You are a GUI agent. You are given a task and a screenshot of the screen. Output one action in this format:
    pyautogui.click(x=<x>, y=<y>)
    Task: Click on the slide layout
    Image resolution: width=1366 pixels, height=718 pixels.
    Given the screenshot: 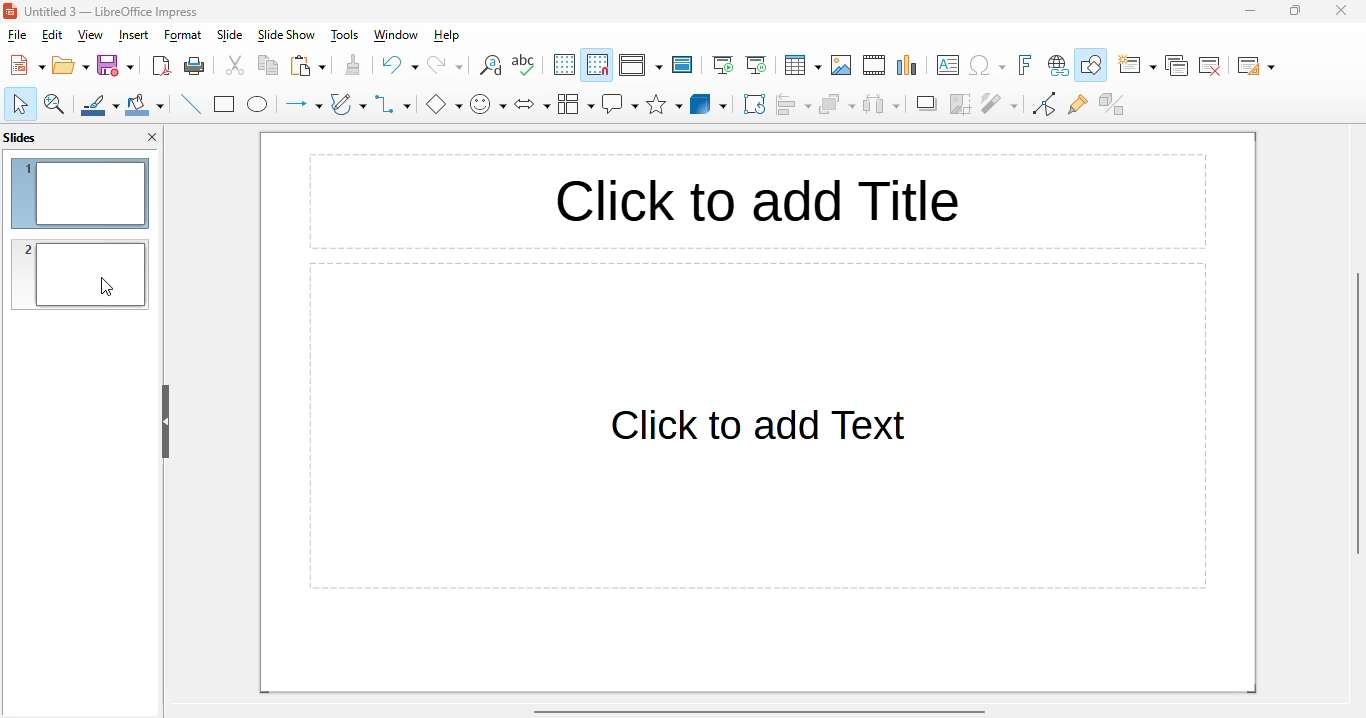 What is the action you would take?
    pyautogui.click(x=1256, y=66)
    